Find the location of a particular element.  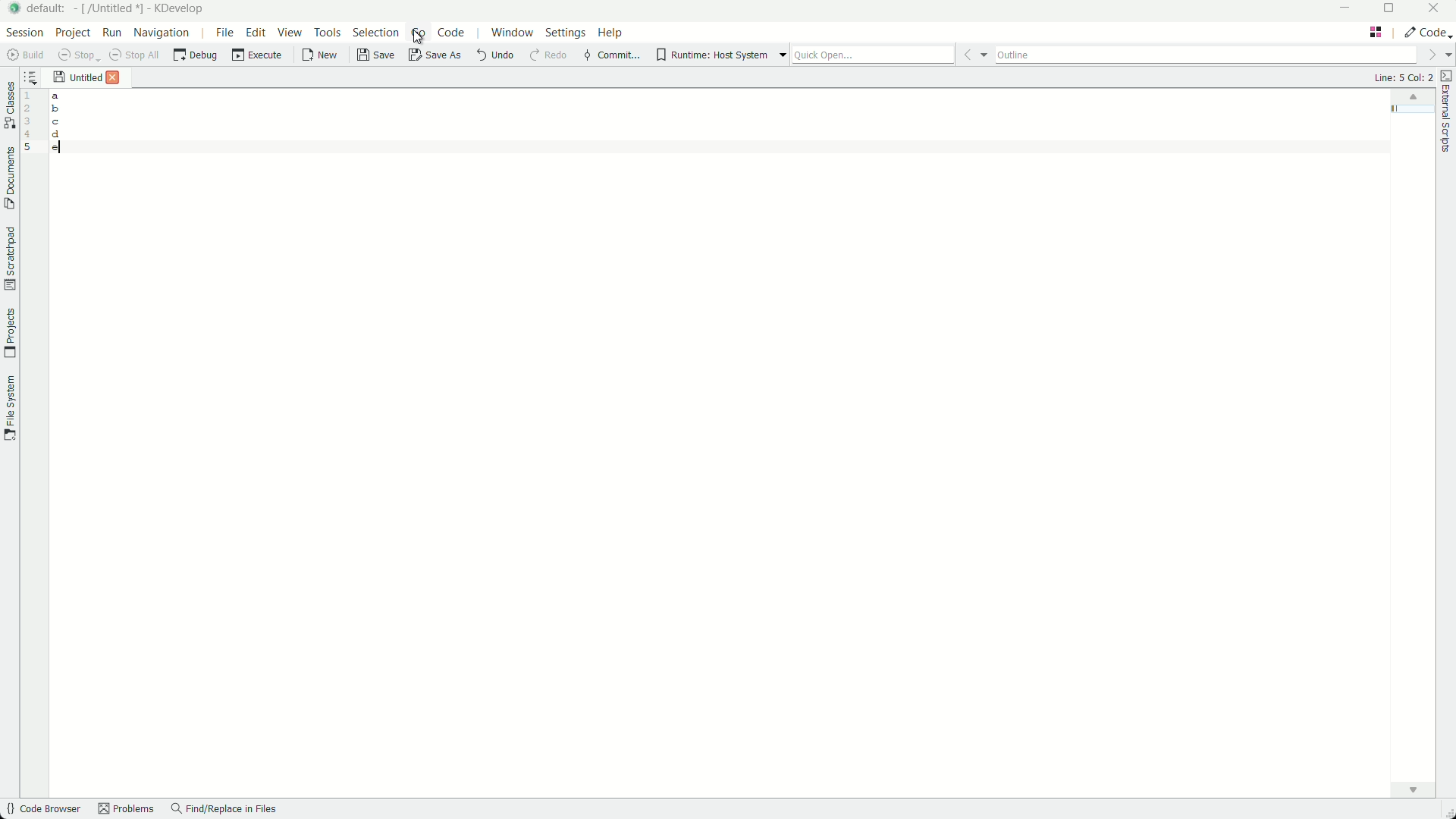

navigation is located at coordinates (162, 33).